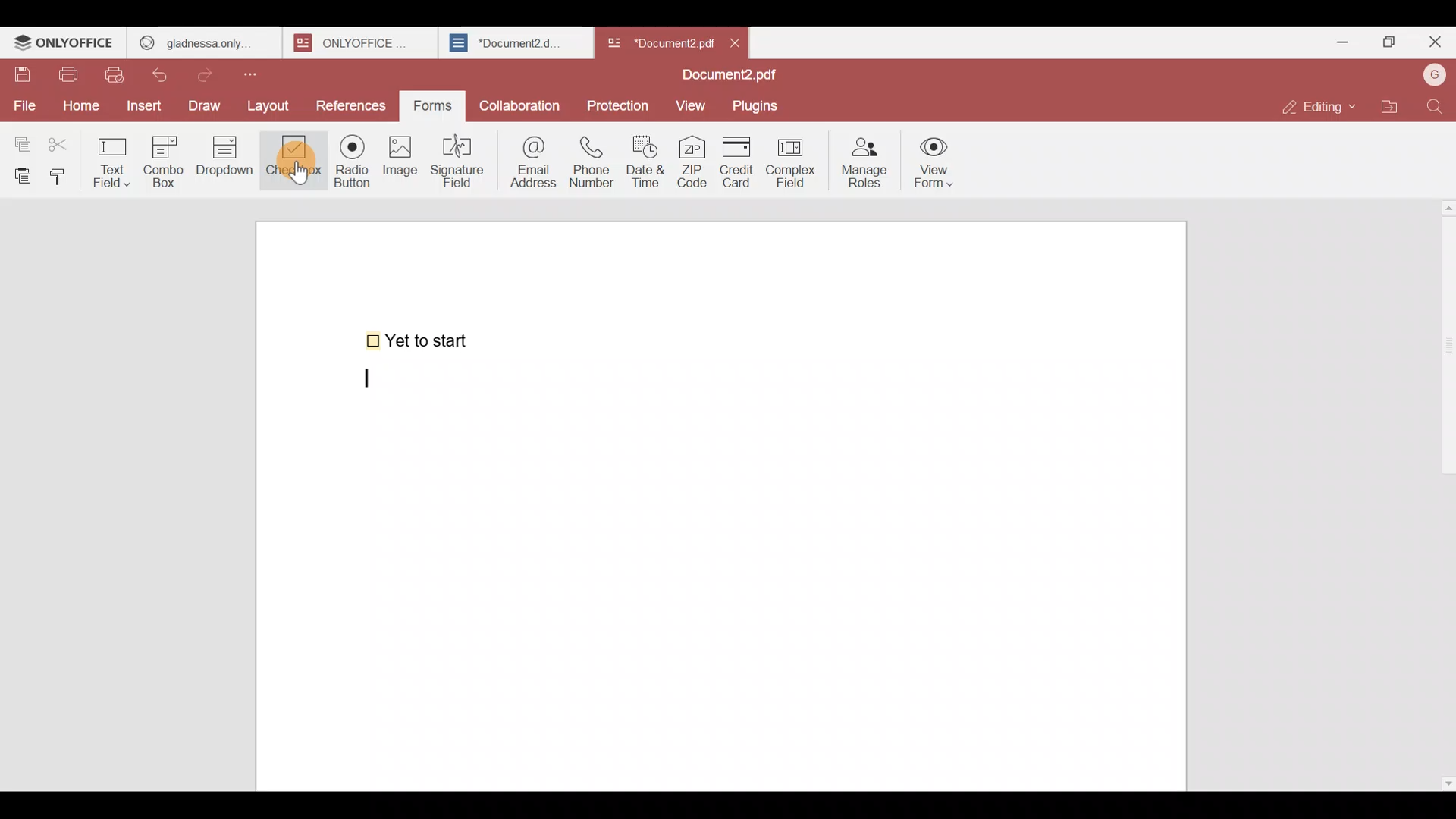 This screenshot has height=819, width=1456. Describe the element at coordinates (351, 105) in the screenshot. I see `References` at that location.